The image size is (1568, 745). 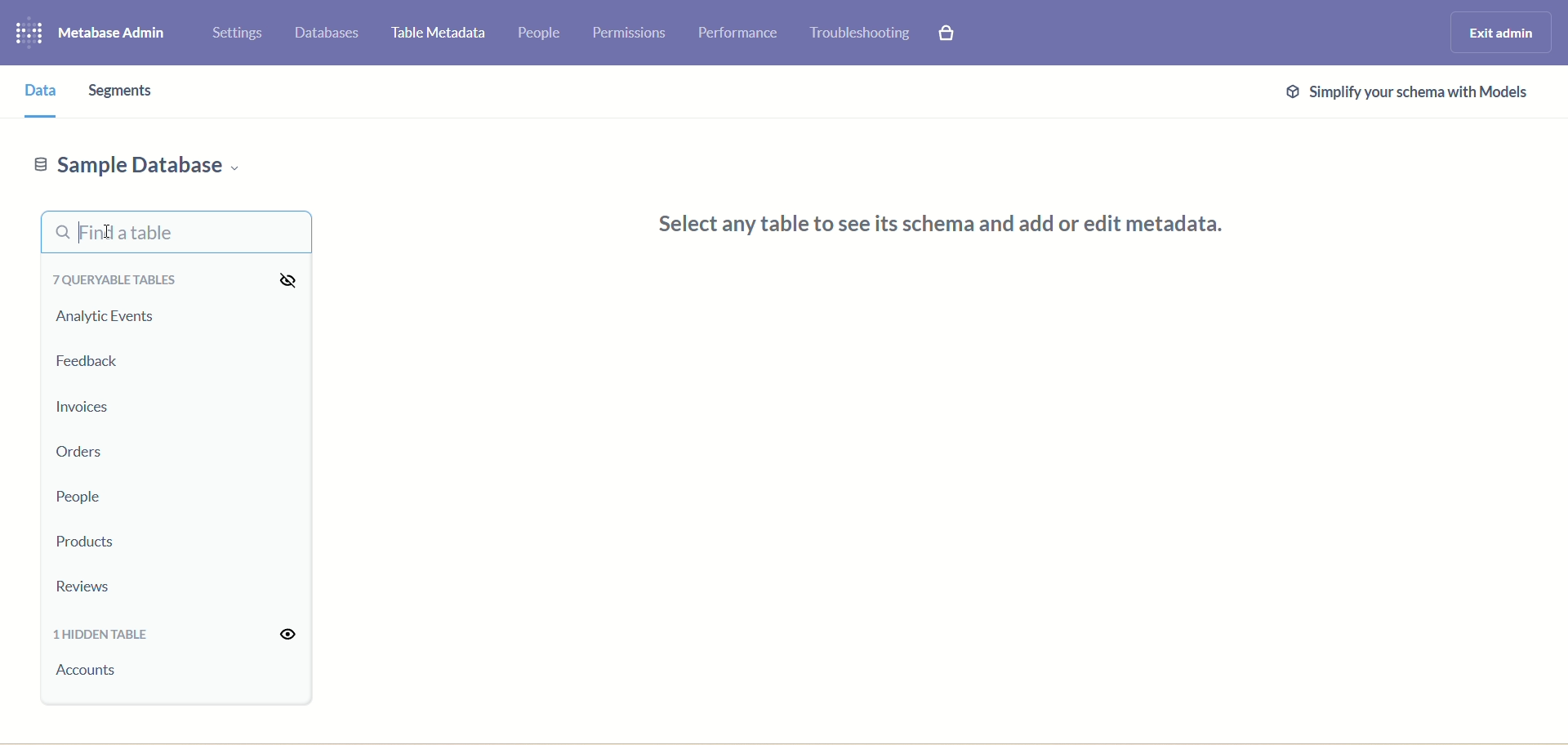 I want to click on settings, so click(x=238, y=33).